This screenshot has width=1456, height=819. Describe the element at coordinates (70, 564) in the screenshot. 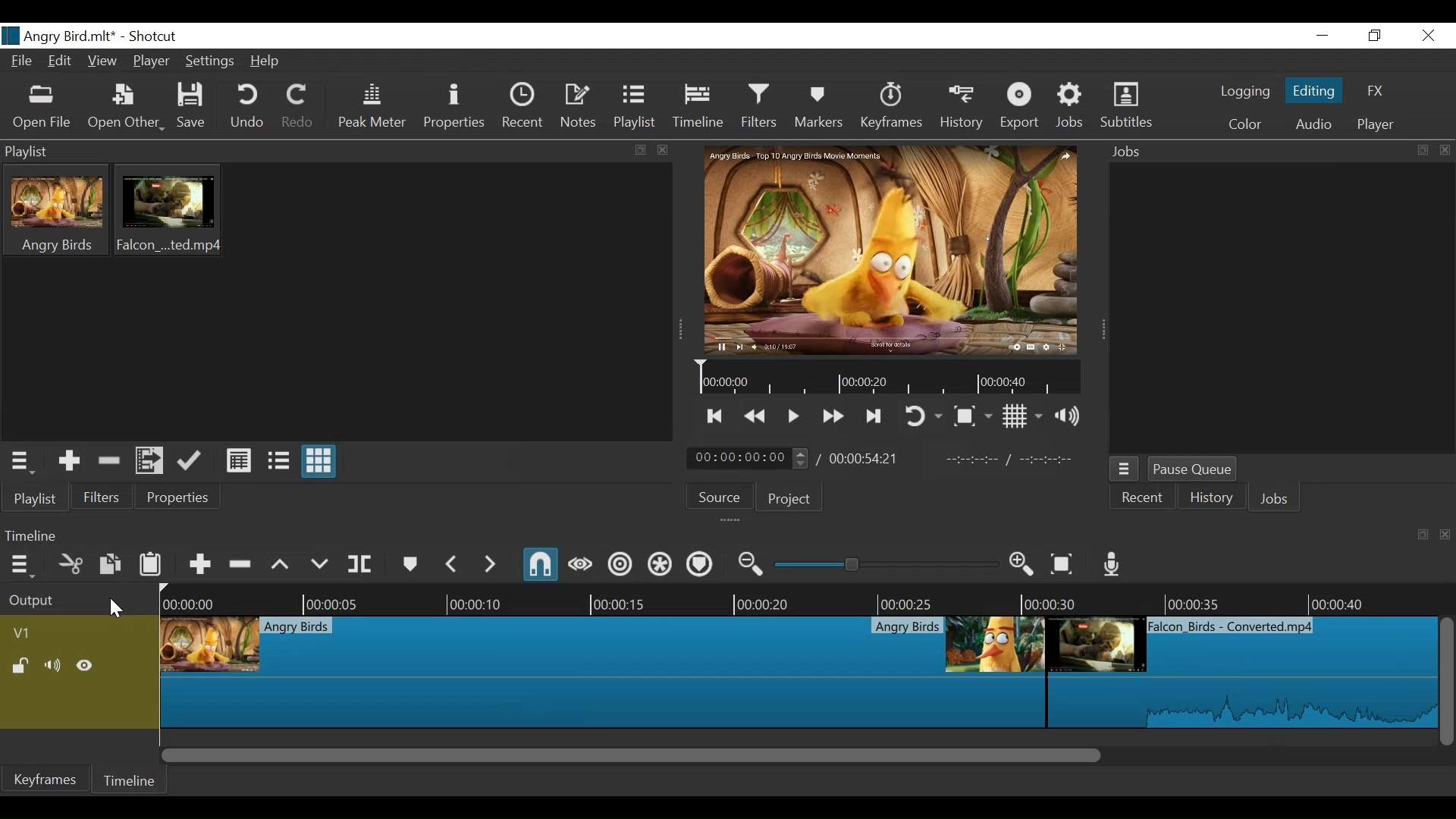

I see `Cut` at that location.